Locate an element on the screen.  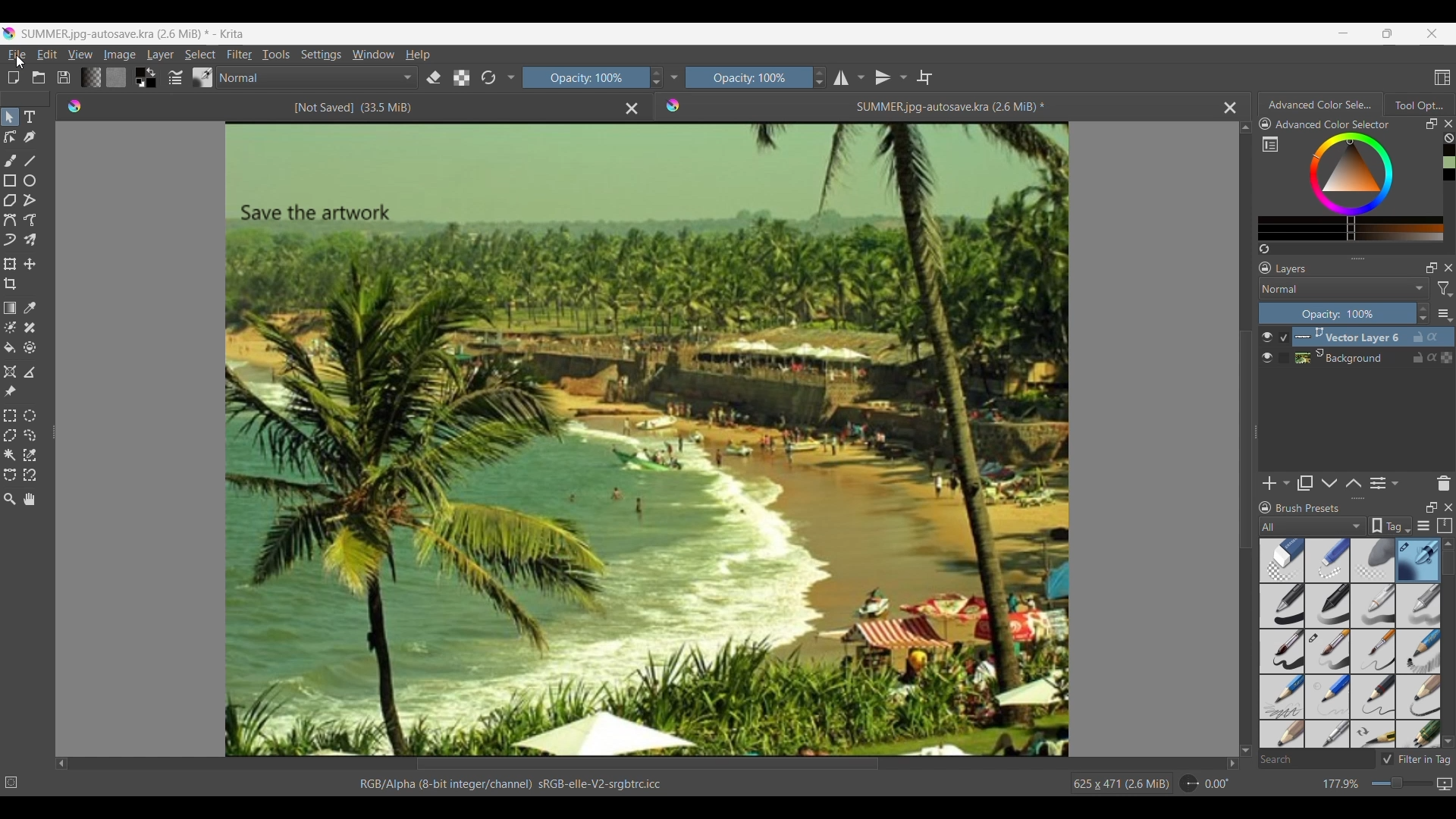
Interchange background and foreground color is located at coordinates (152, 72).